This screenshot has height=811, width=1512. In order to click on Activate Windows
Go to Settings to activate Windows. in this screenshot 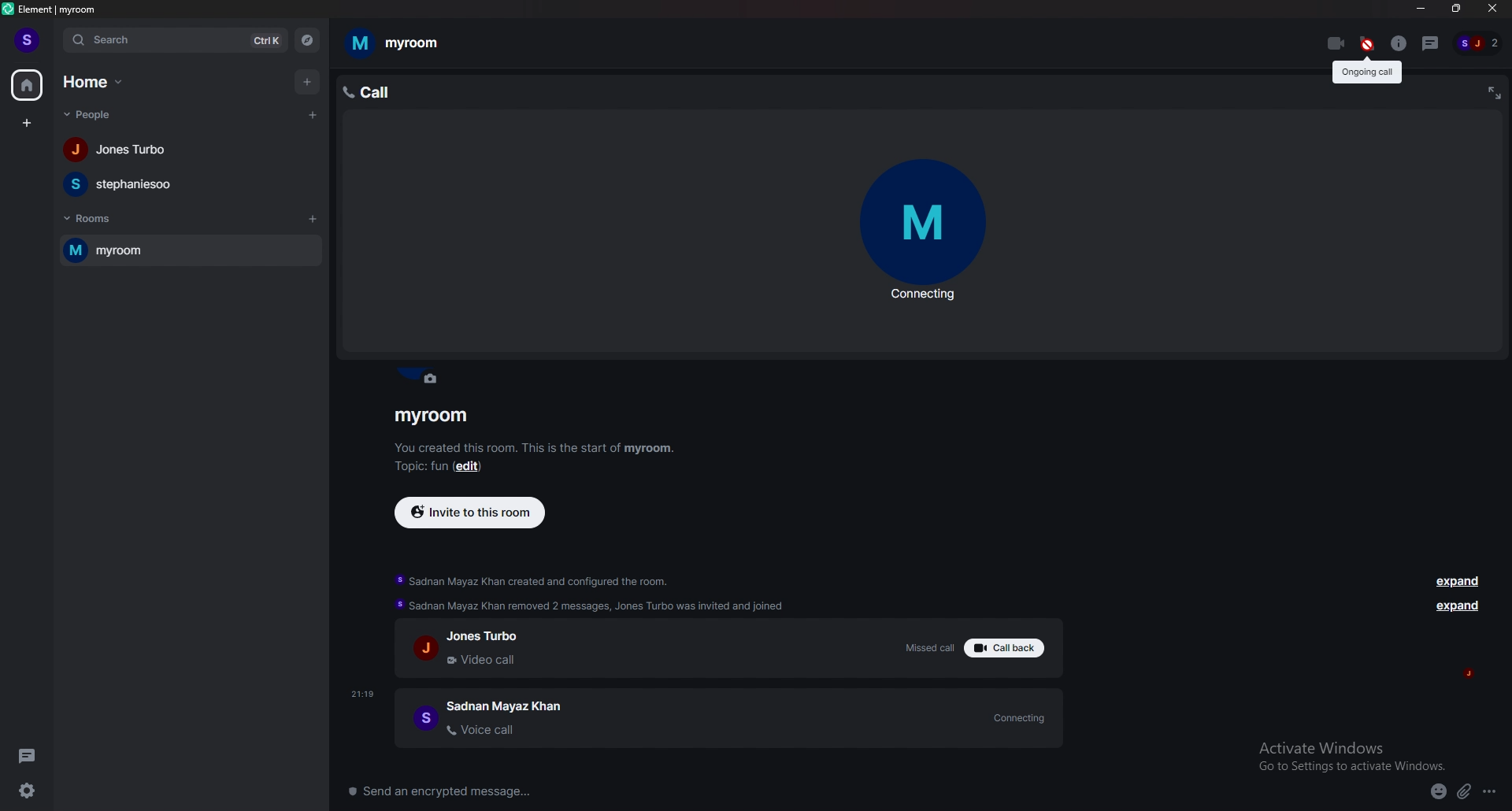, I will do `click(1353, 756)`.